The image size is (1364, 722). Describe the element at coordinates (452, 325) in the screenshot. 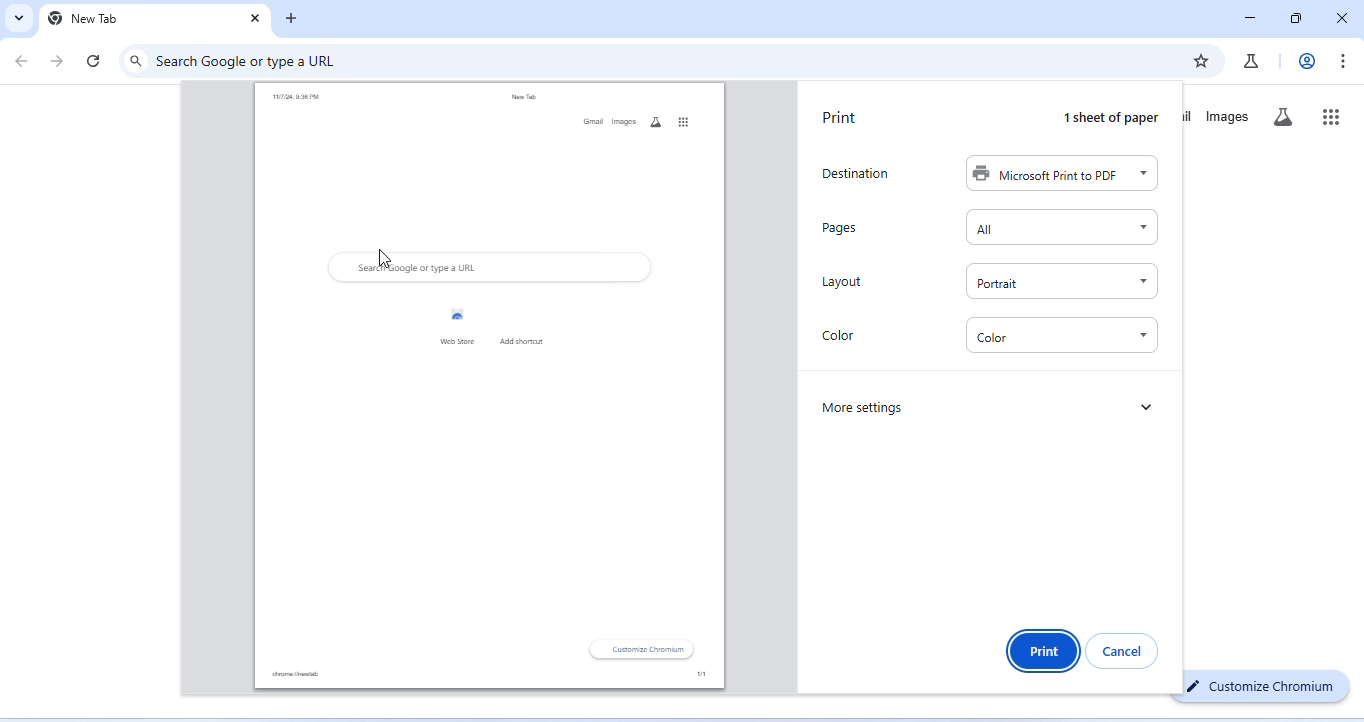

I see `web store` at that location.